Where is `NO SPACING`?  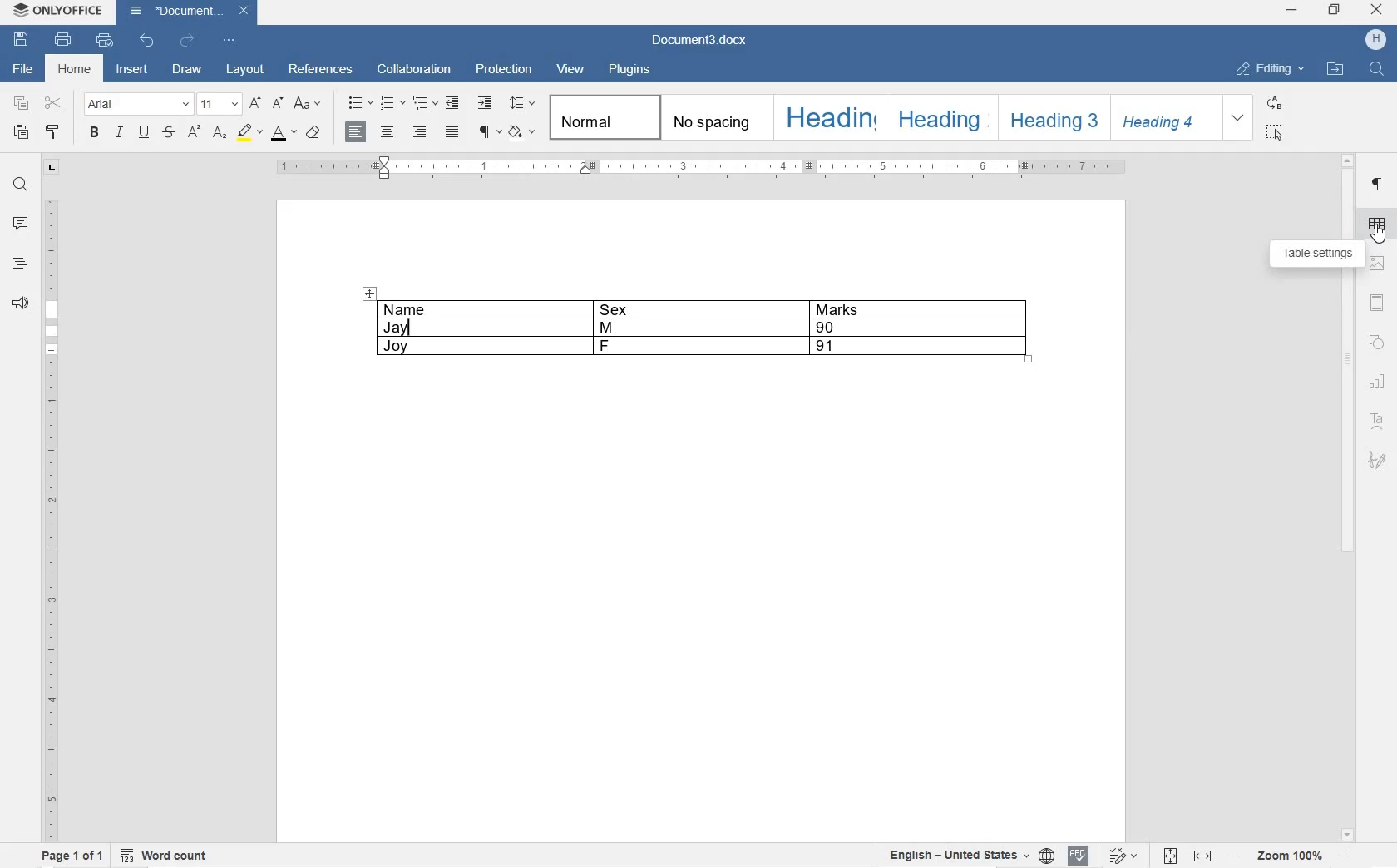 NO SPACING is located at coordinates (713, 117).